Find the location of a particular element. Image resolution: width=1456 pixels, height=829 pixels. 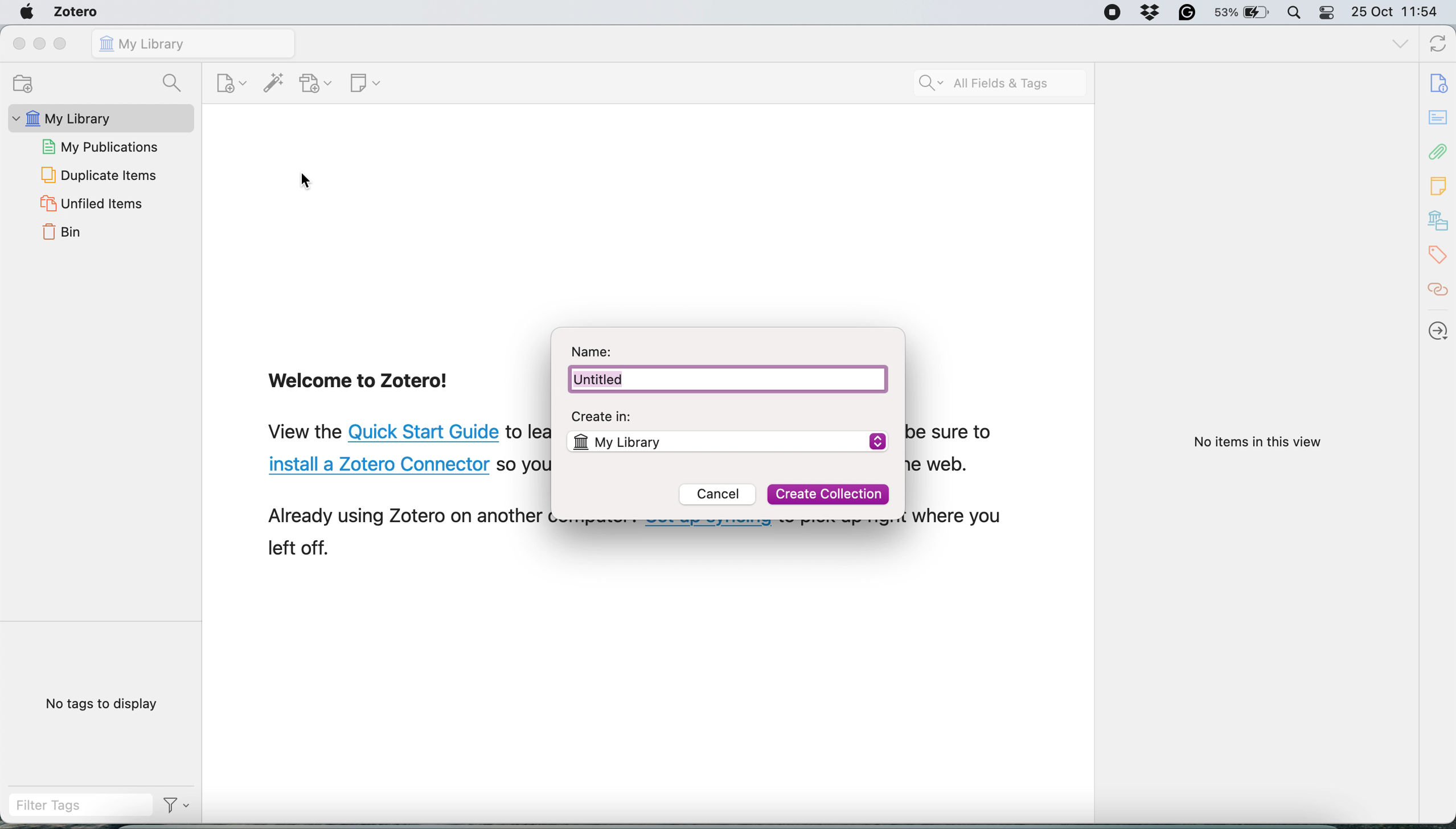

Create in: My Library is located at coordinates (727, 428).